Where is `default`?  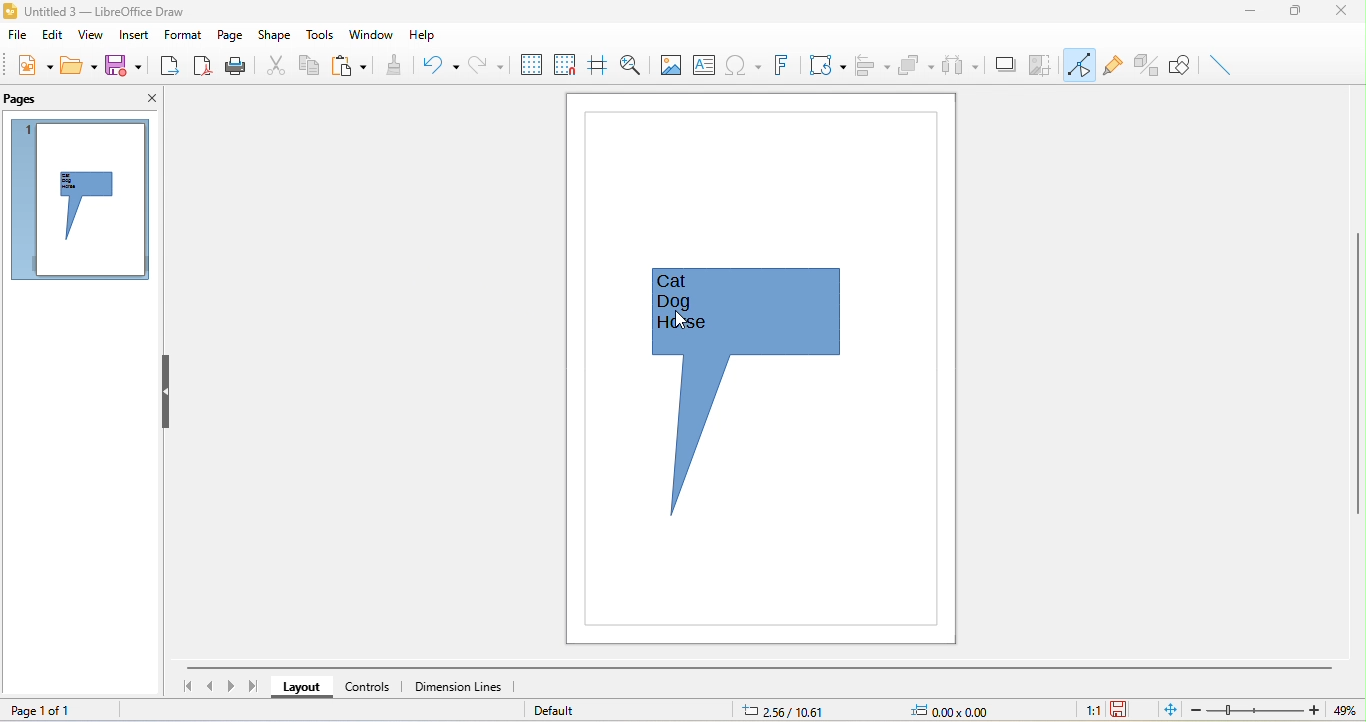 default is located at coordinates (559, 710).